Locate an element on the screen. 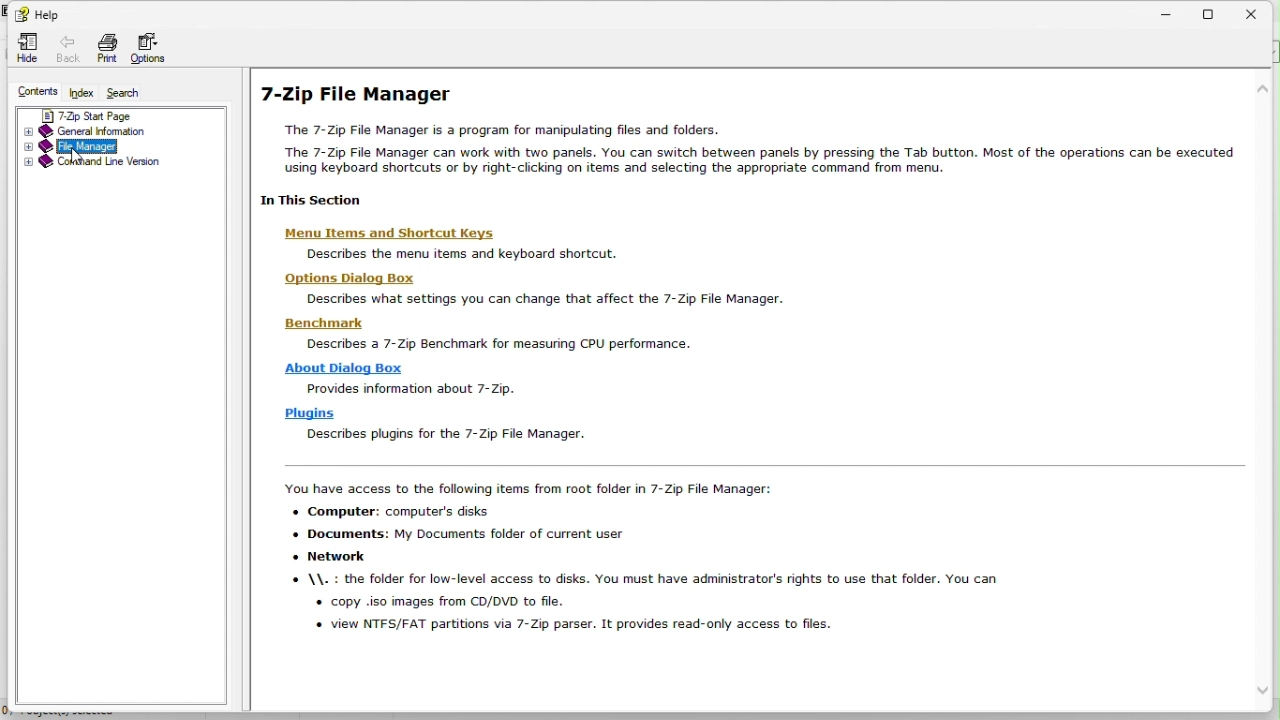  Content is located at coordinates (31, 93).